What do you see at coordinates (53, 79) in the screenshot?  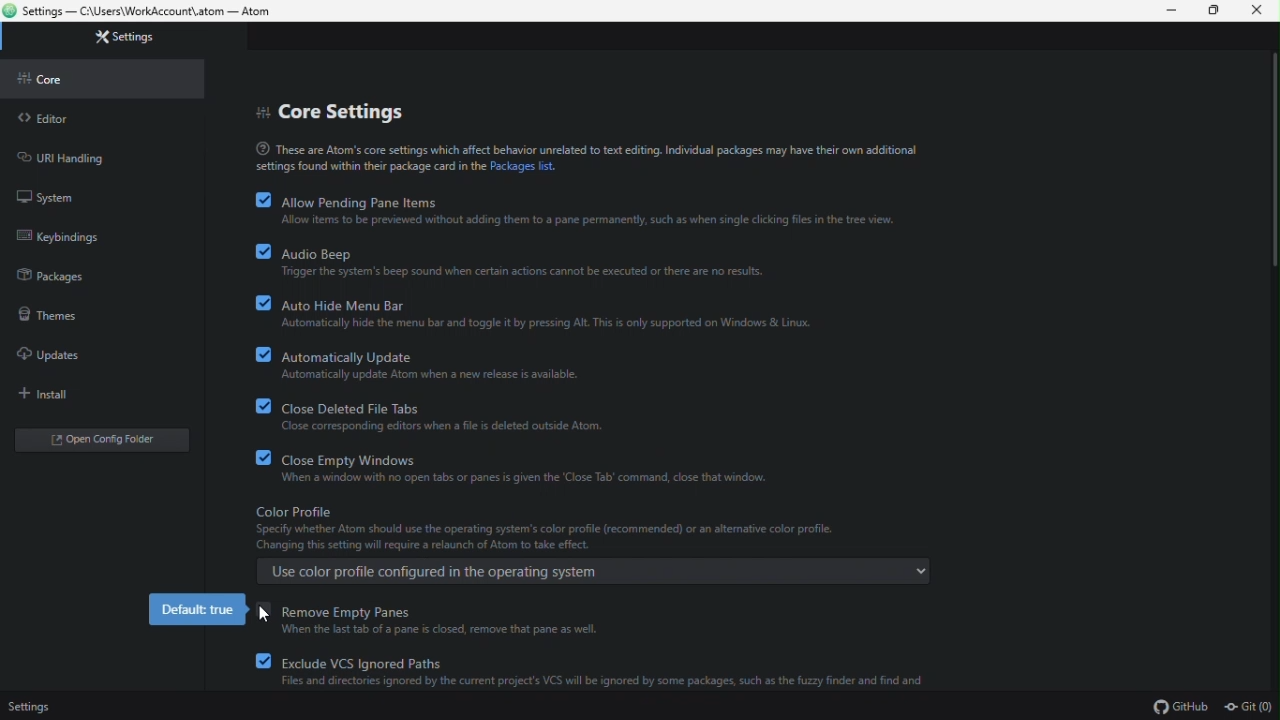 I see `core` at bounding box center [53, 79].